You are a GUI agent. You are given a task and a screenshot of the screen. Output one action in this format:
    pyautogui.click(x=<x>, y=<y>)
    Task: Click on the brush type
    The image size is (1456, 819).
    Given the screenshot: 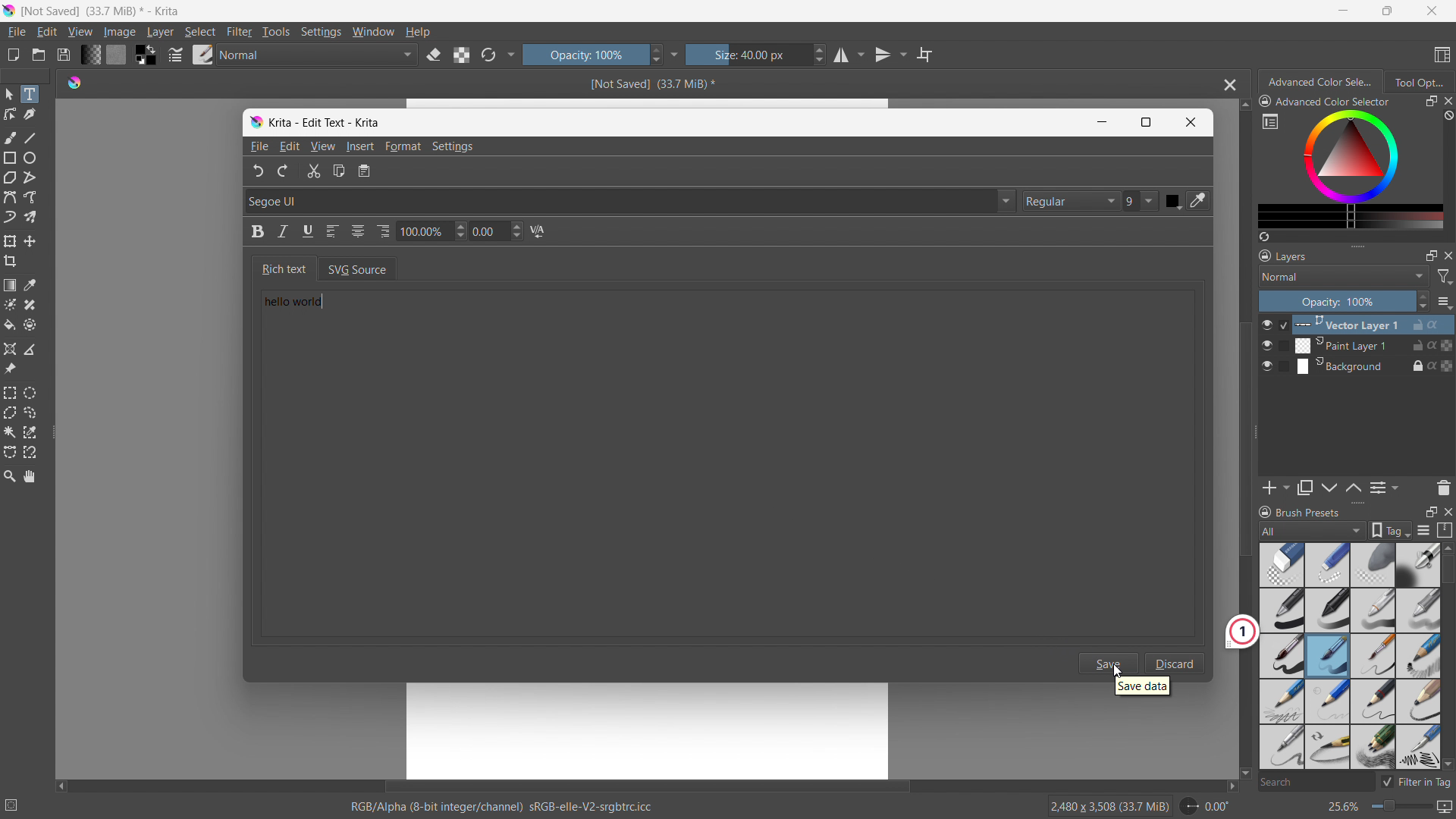 What is the action you would take?
    pyautogui.click(x=1313, y=530)
    